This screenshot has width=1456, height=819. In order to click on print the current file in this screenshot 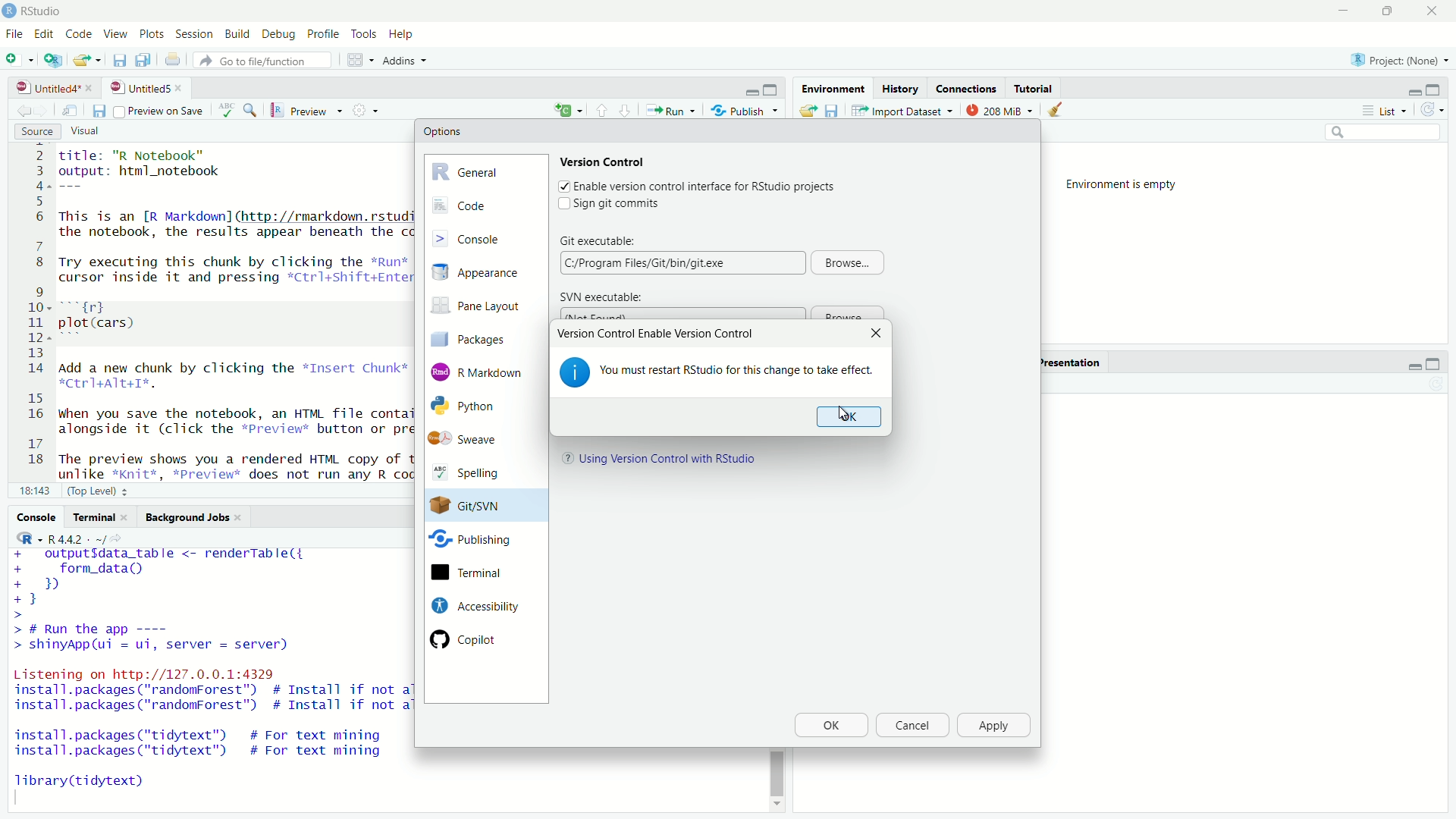, I will do `click(172, 60)`.